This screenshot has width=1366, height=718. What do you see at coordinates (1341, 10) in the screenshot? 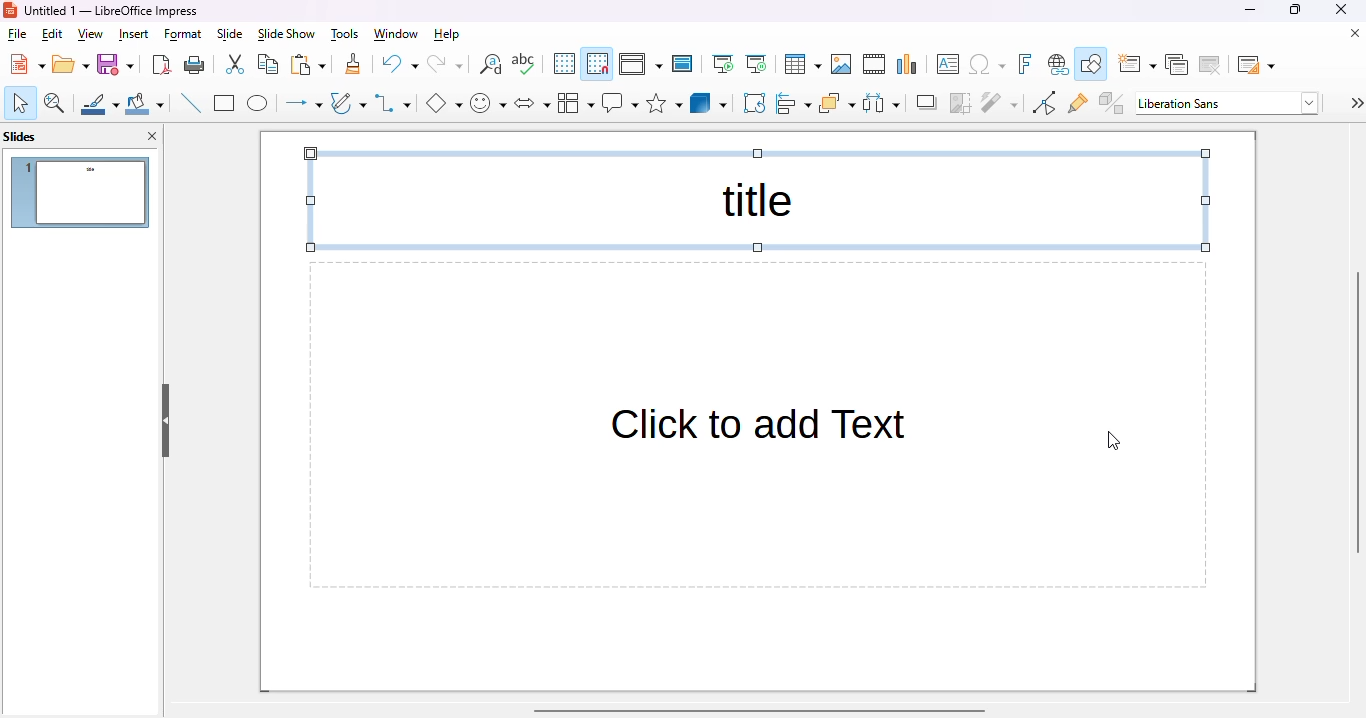
I see `close` at bounding box center [1341, 10].